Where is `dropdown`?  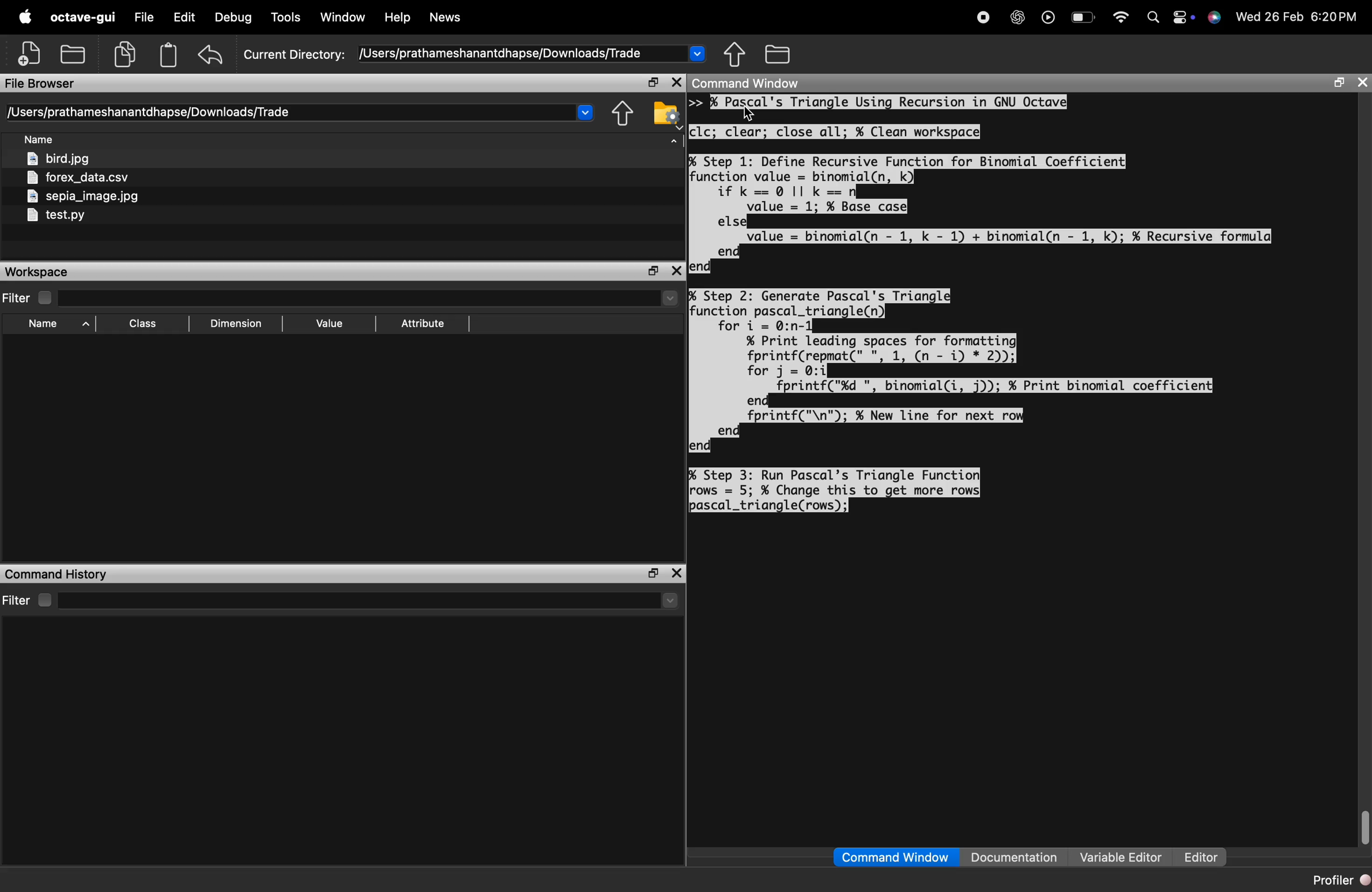
dropdown is located at coordinates (670, 298).